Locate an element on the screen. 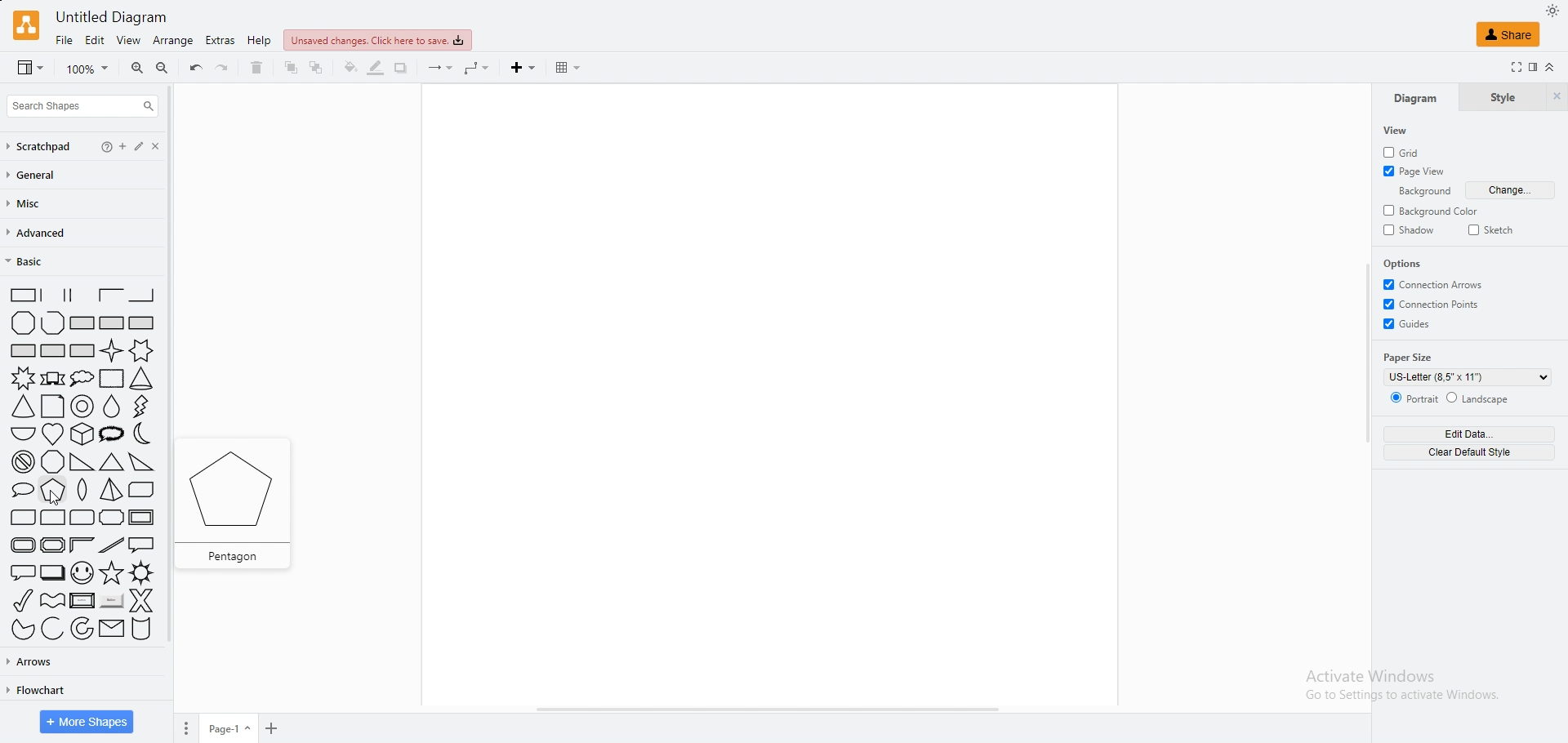 The image size is (1568, 743). line color is located at coordinates (375, 68).